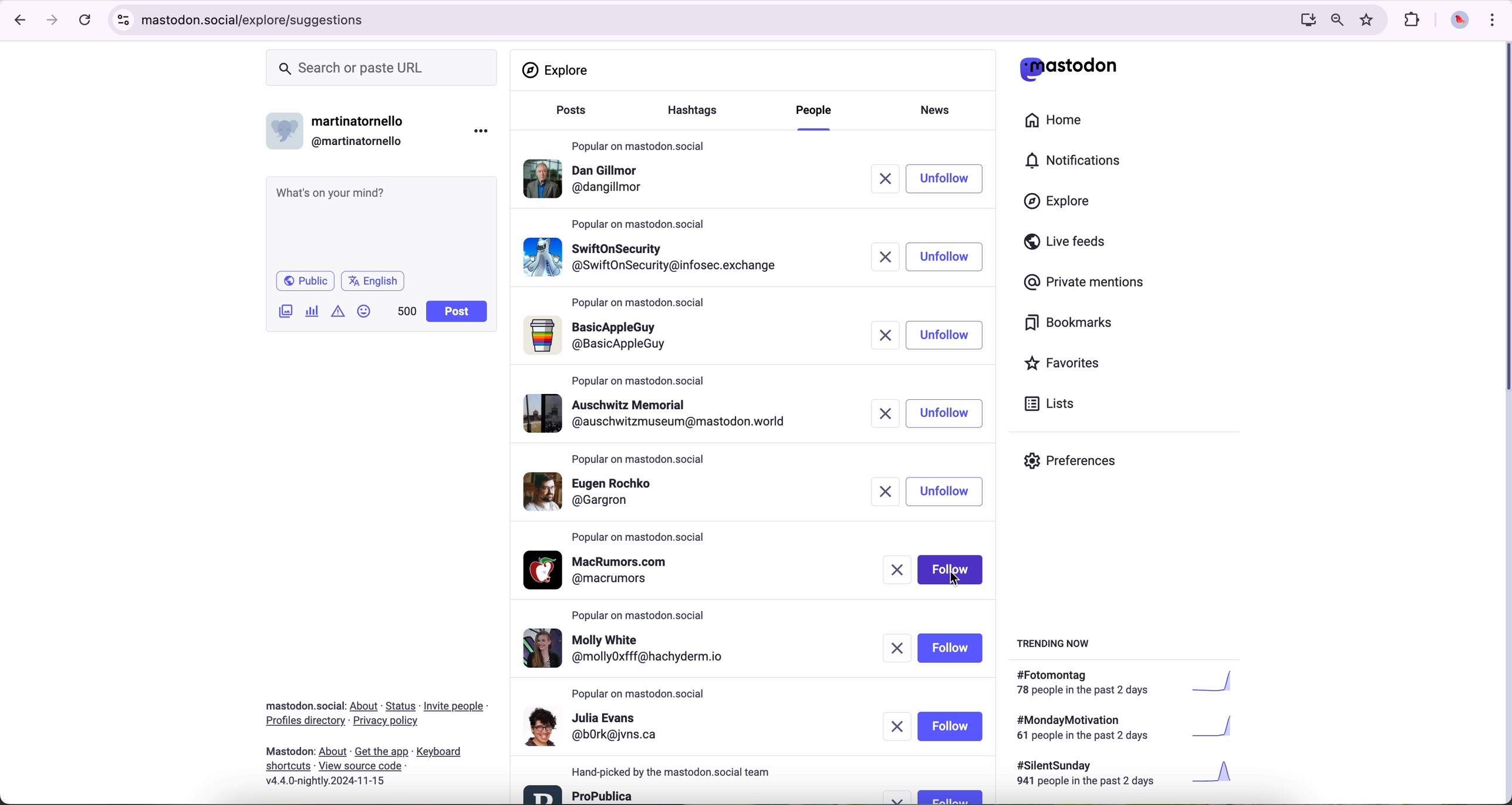 Image resolution: width=1512 pixels, height=805 pixels. What do you see at coordinates (1128, 775) in the screenshot?
I see `#silentsunday` at bounding box center [1128, 775].